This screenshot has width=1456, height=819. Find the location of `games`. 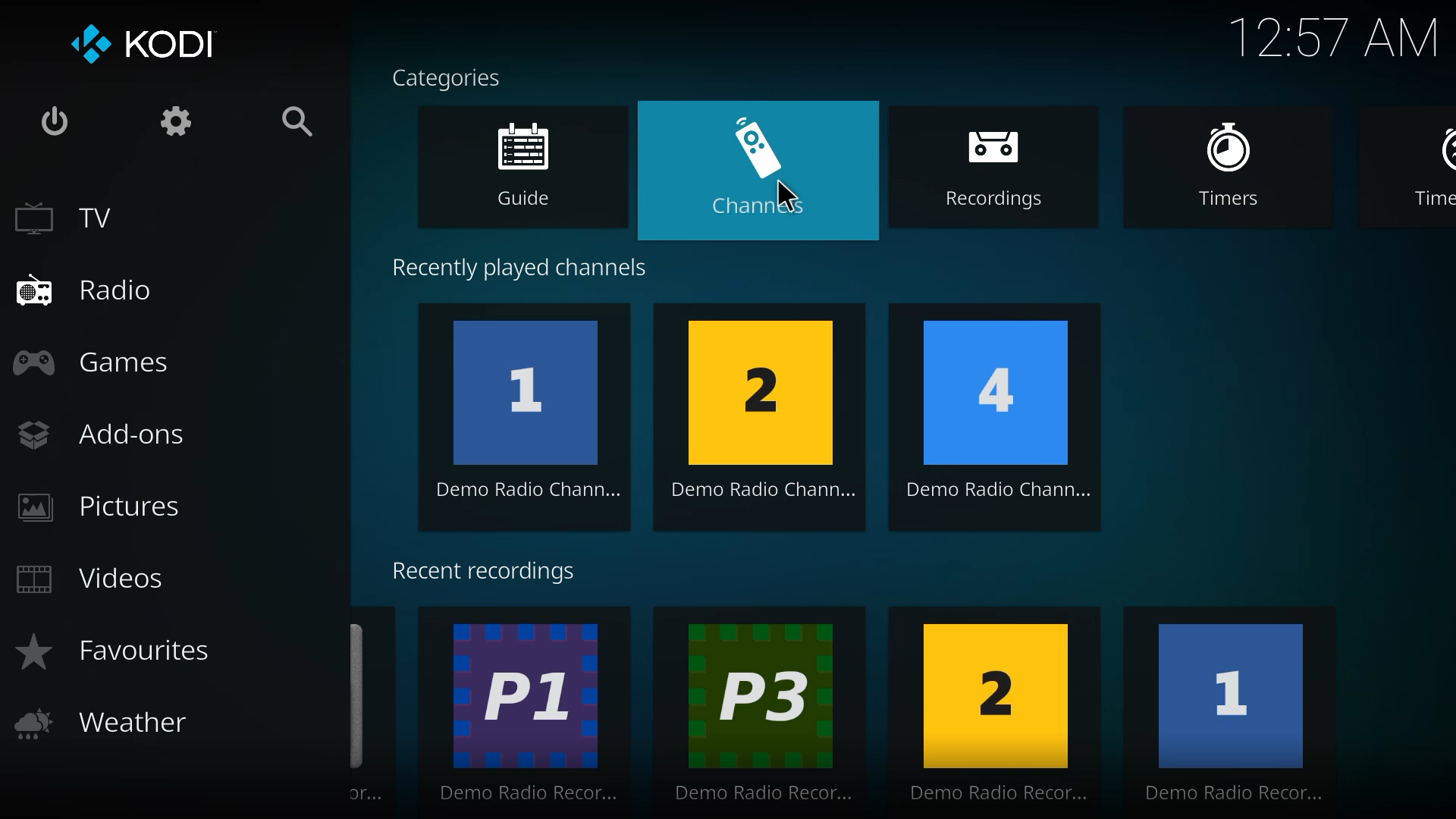

games is located at coordinates (99, 367).